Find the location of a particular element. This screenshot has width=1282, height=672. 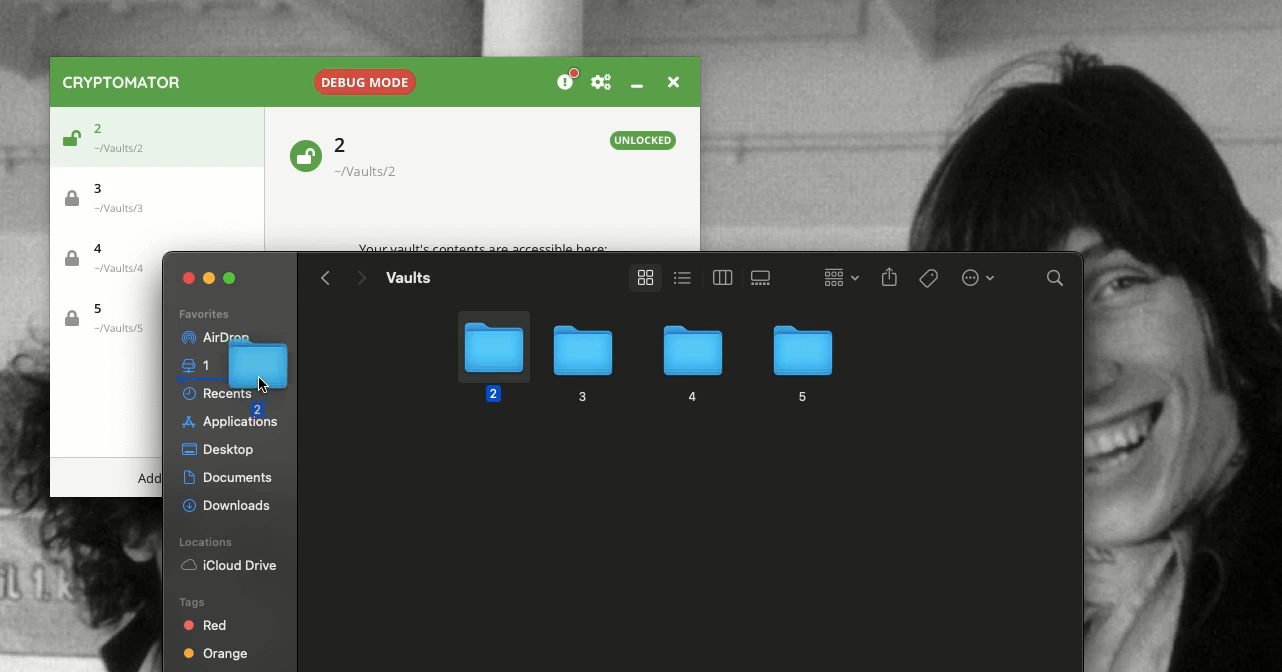

Minimize is located at coordinates (636, 85).